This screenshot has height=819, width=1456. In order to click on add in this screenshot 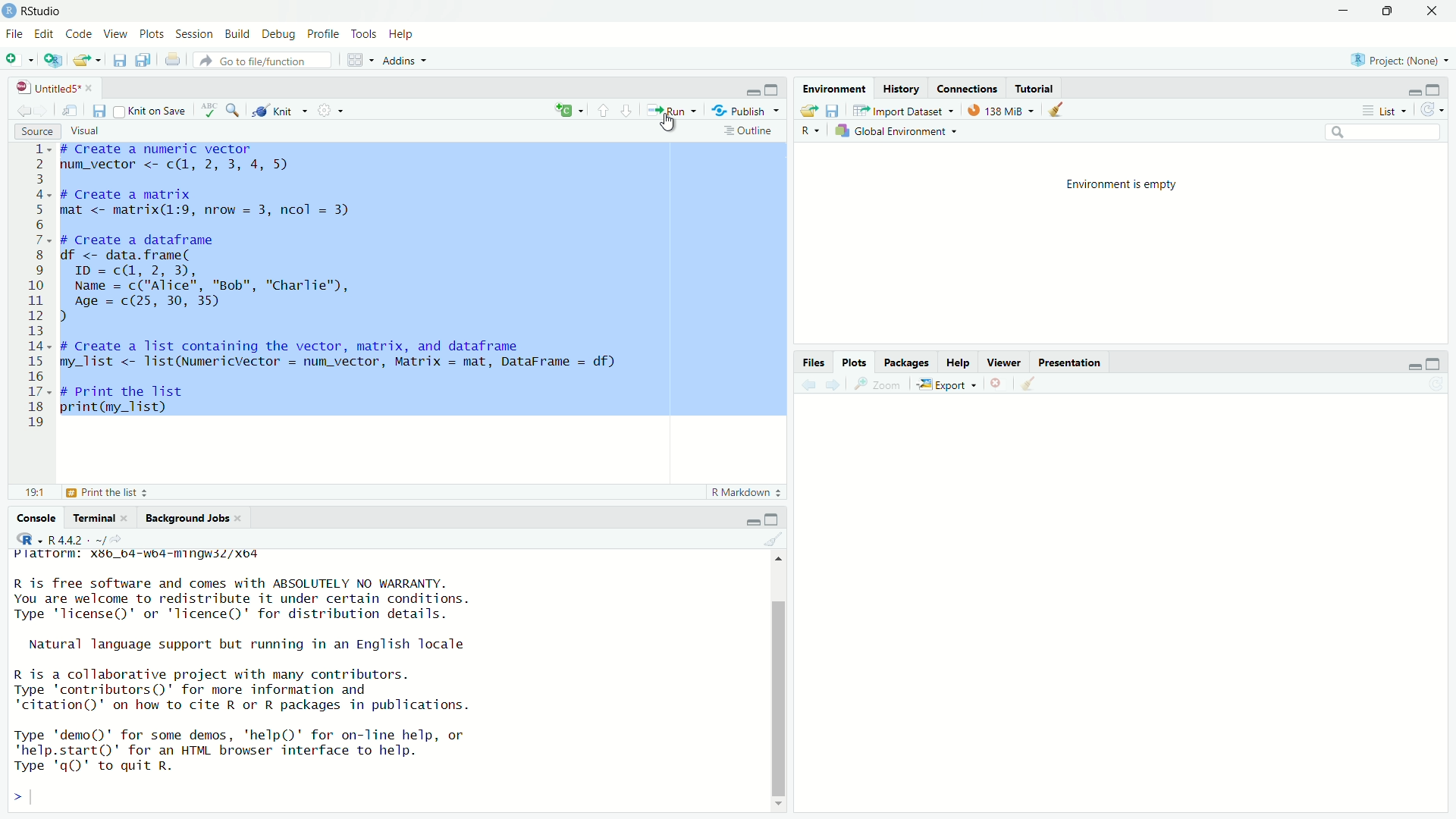, I will do `click(568, 111)`.